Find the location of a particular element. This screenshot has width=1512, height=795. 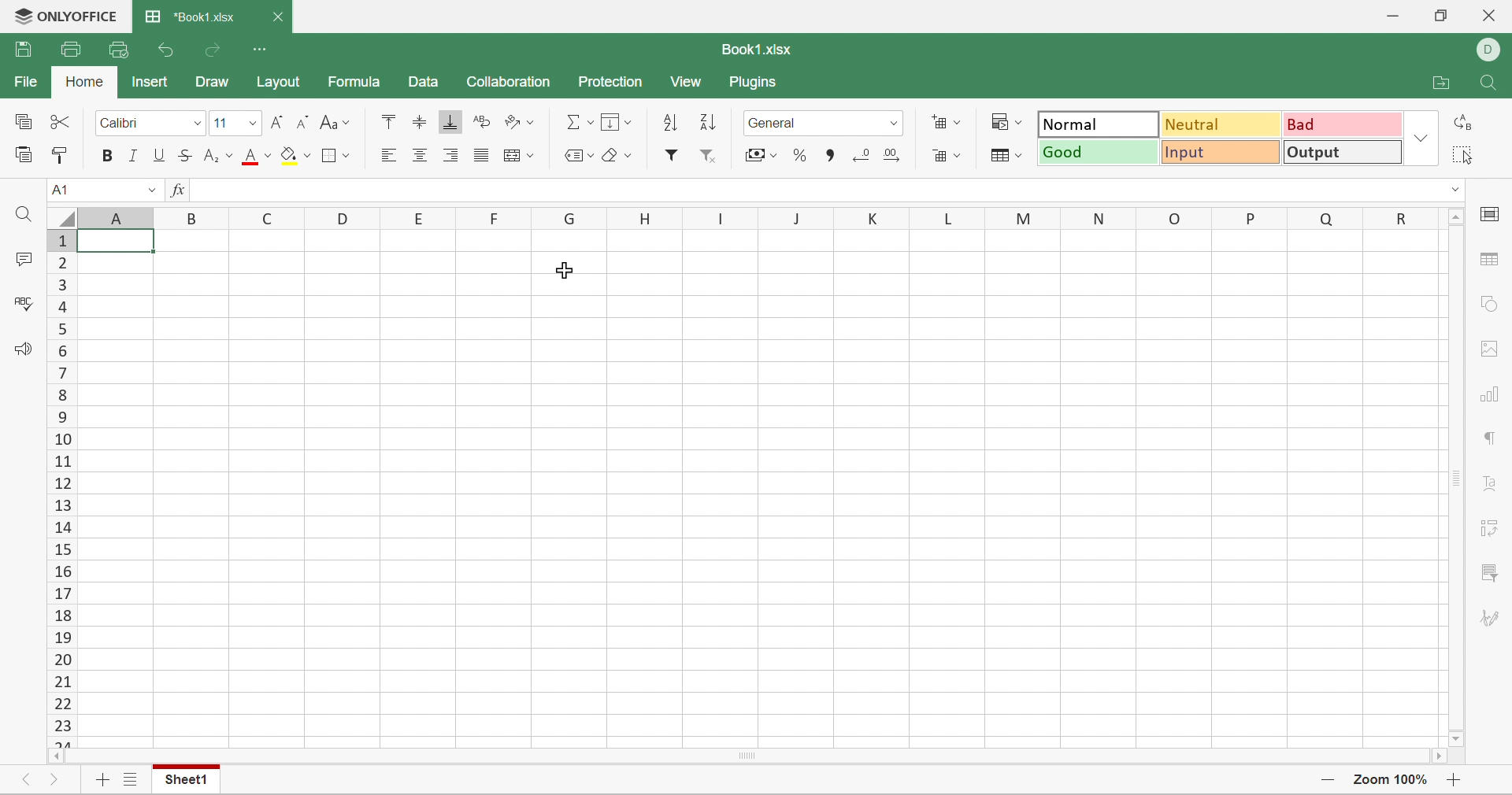

Justified is located at coordinates (478, 155).